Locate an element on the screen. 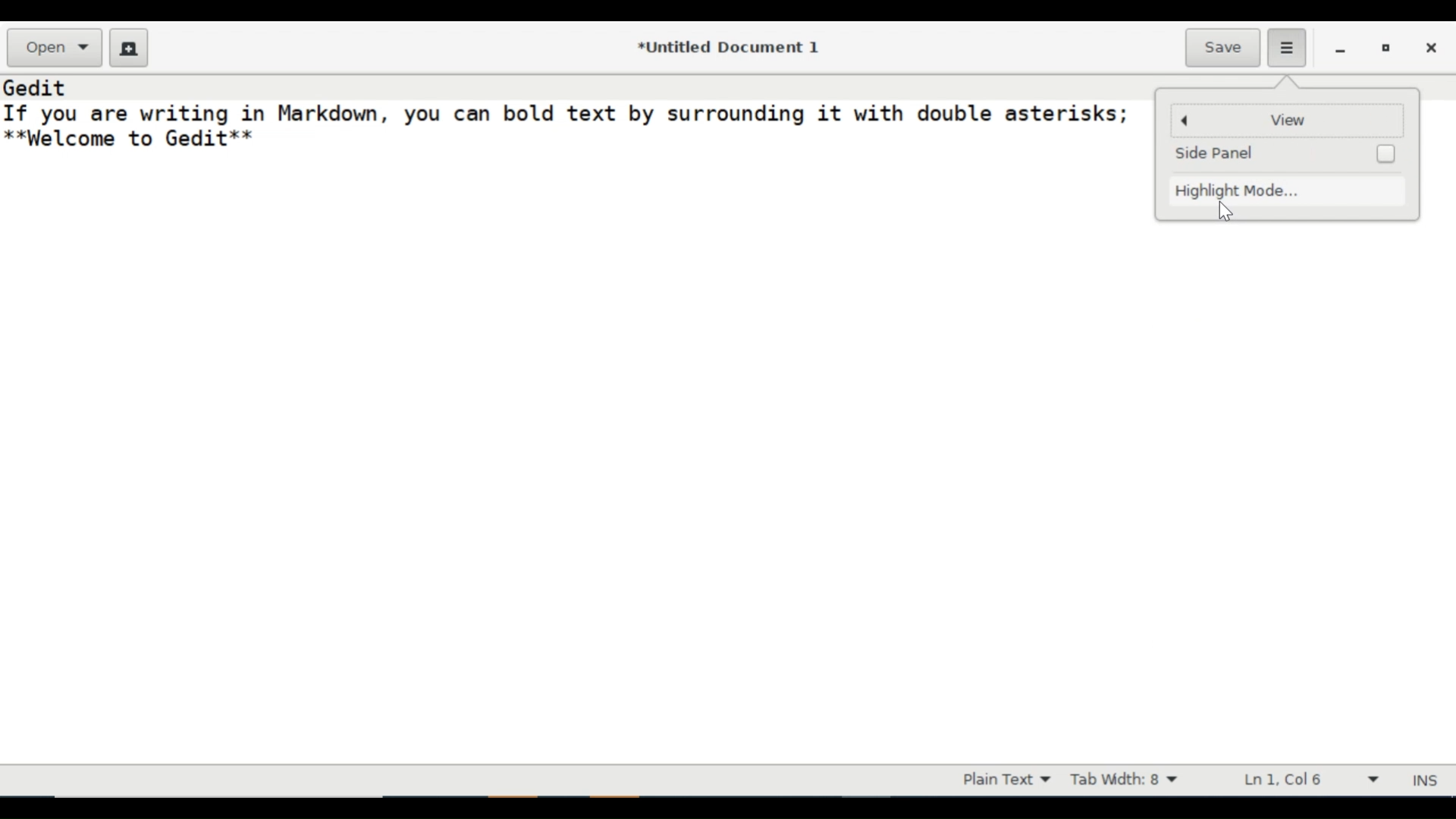 The width and height of the screenshot is (1456, 819). If you are writing in Markdown, you can bold text by surrounding it with double asterisks; is located at coordinates (566, 113).